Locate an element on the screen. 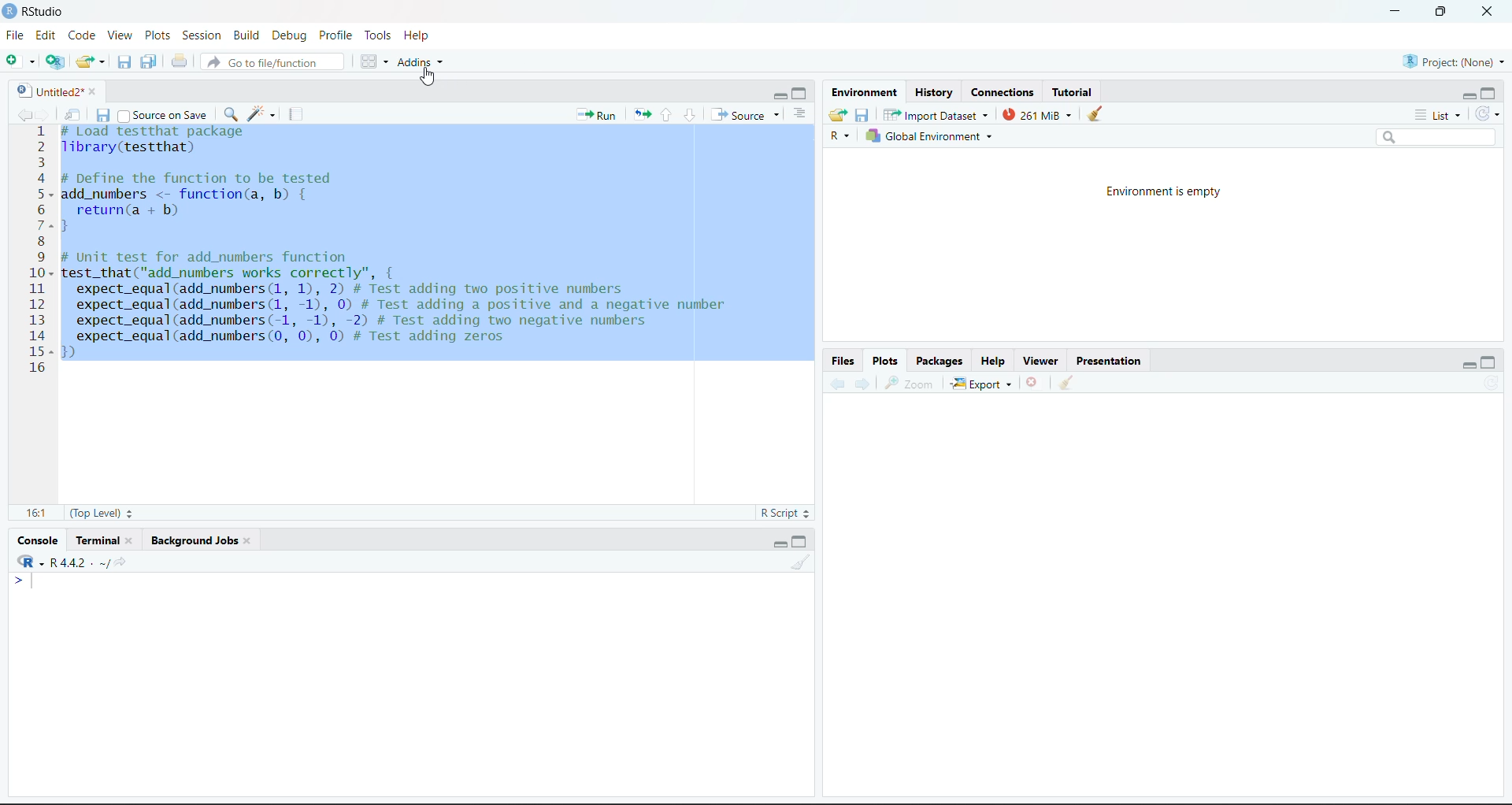  Search bar is located at coordinates (1436, 137).